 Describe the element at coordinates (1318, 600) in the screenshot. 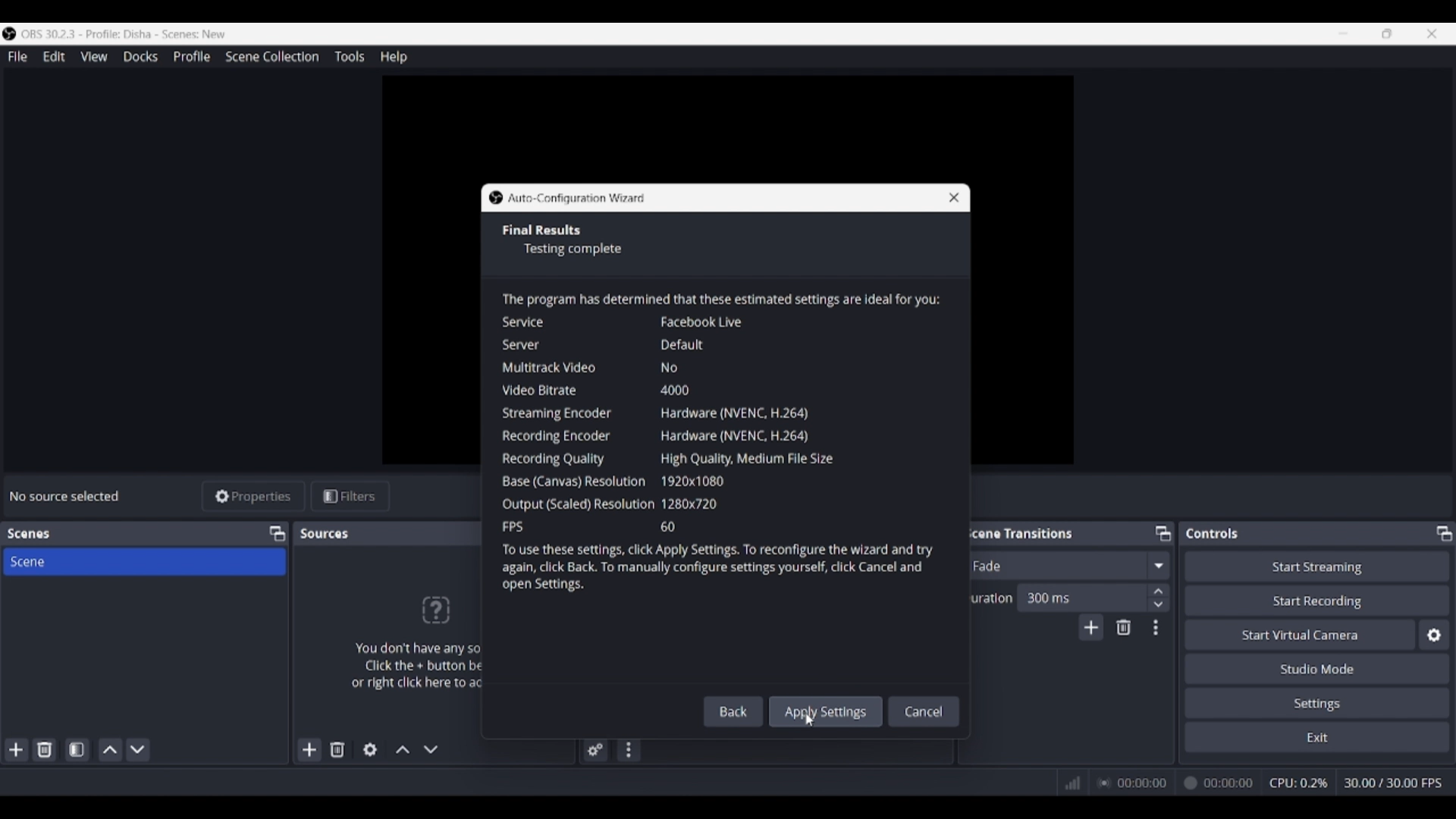

I see `Start recording` at that location.